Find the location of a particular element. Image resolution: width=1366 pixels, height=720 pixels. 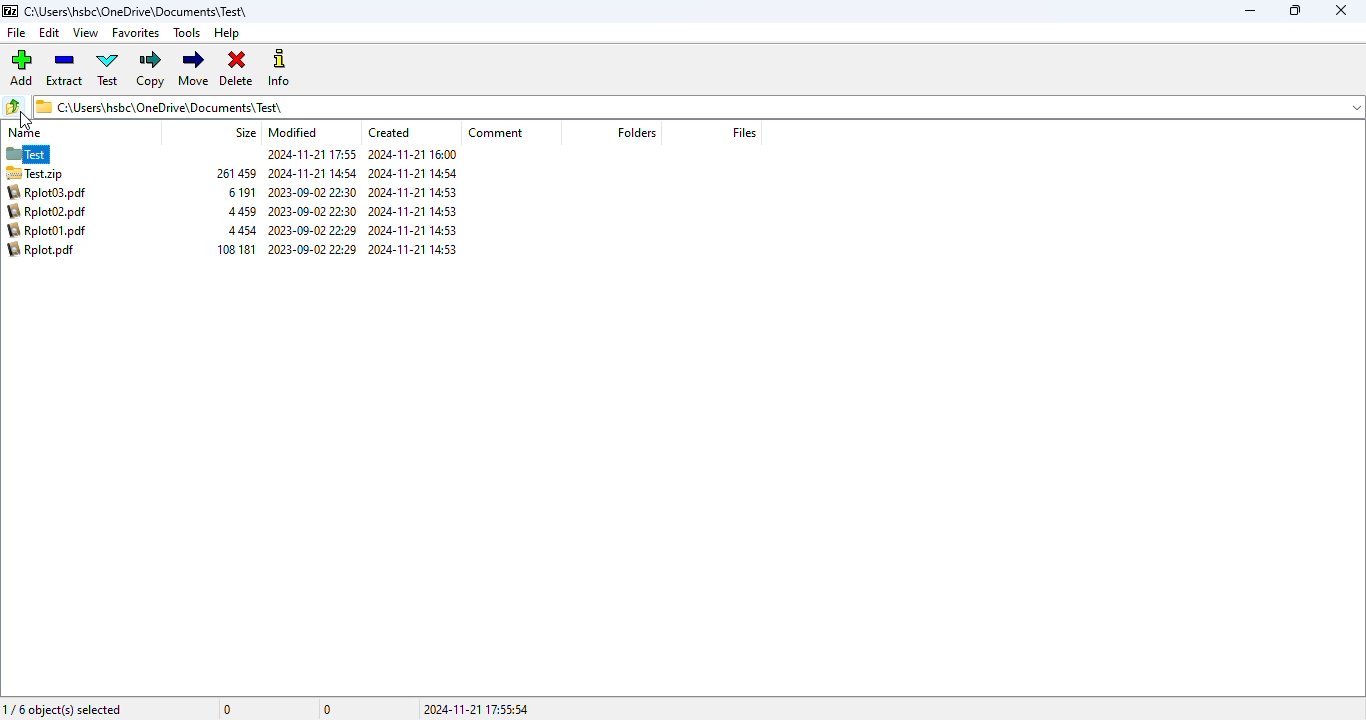

browse folder is located at coordinates (14, 106).